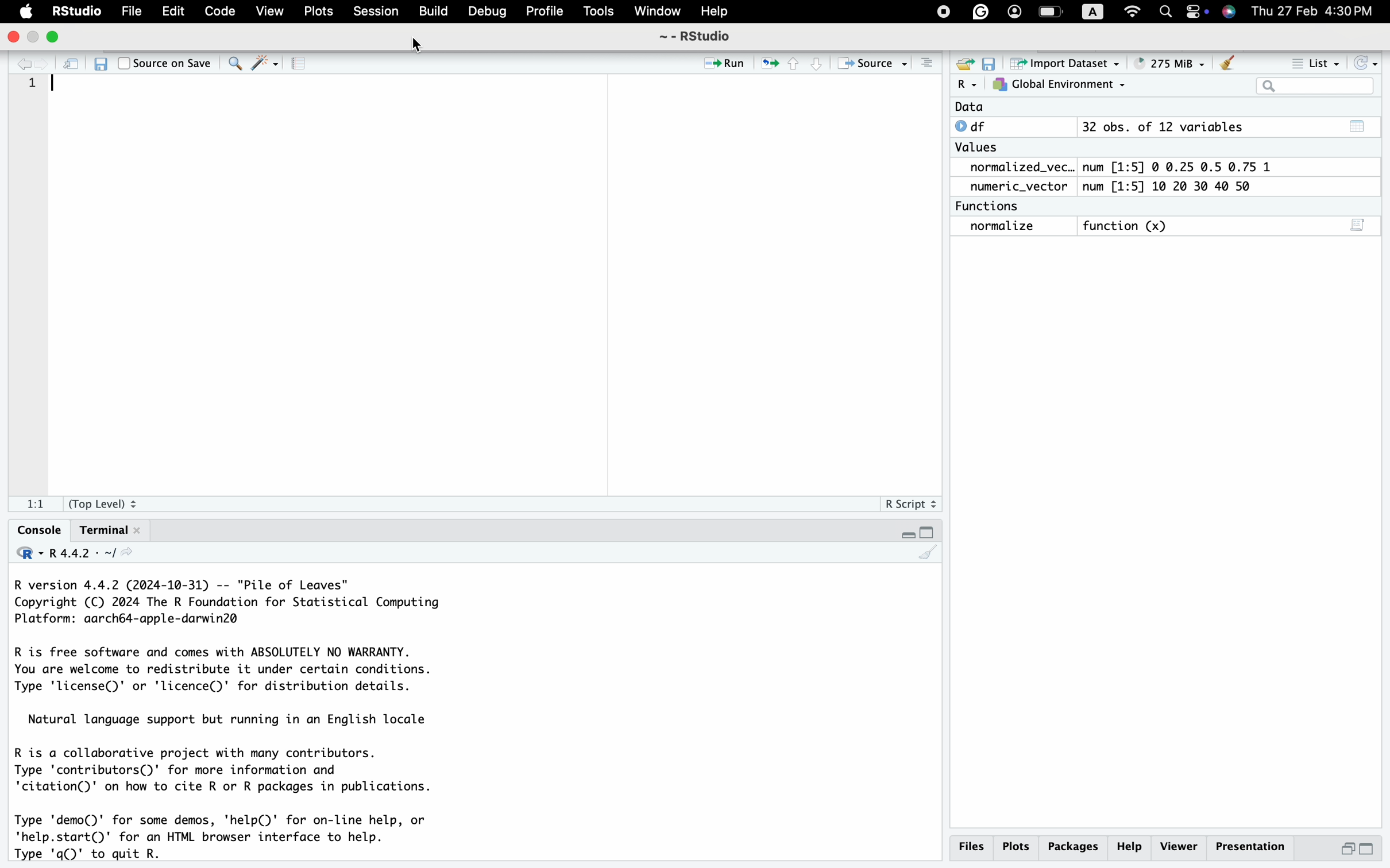 Image resolution: width=1390 pixels, height=868 pixels. Describe the element at coordinates (728, 62) in the screenshot. I see `run the current line or selection` at that location.